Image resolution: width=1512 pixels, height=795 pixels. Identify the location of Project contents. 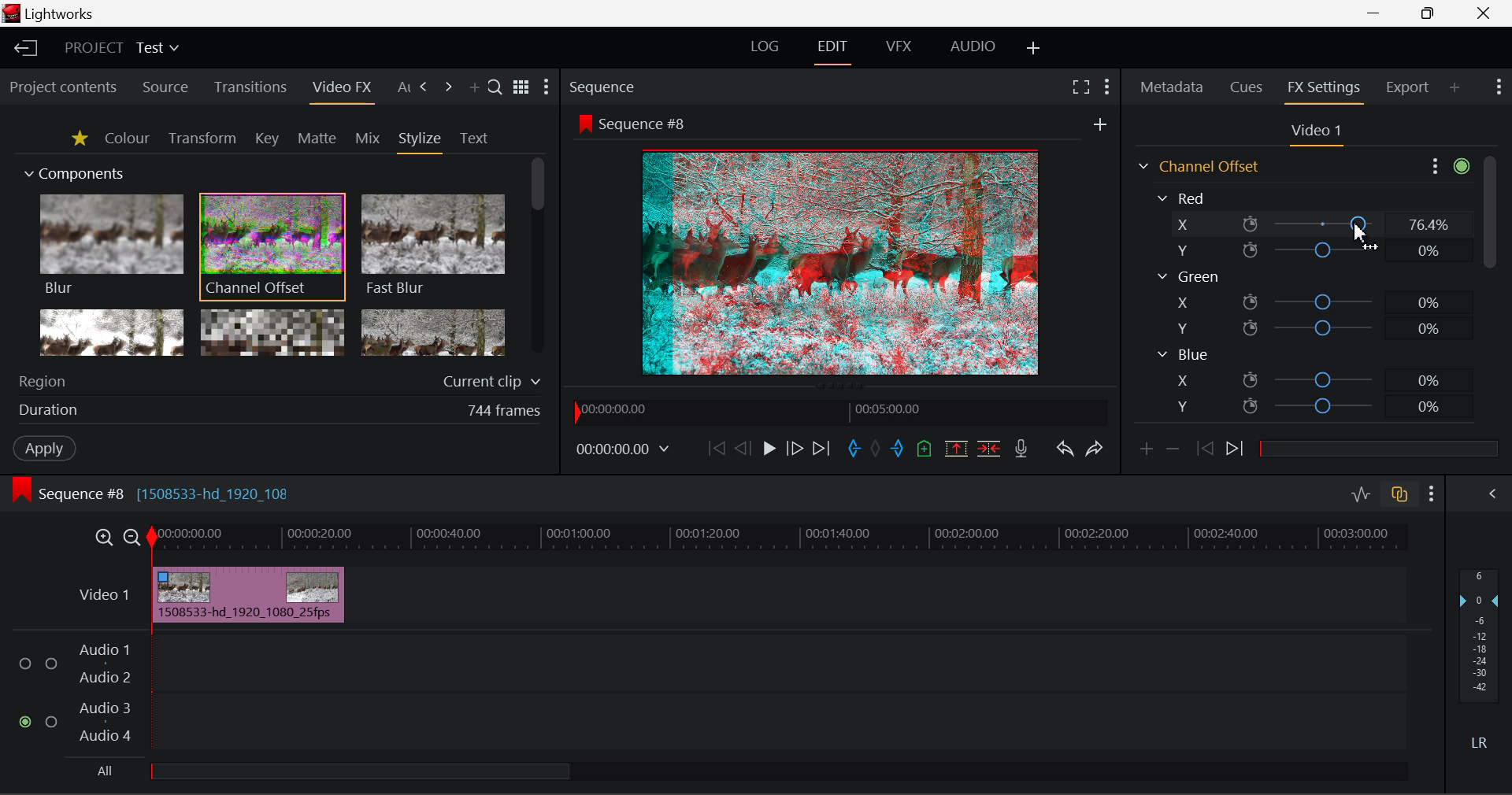
(62, 88).